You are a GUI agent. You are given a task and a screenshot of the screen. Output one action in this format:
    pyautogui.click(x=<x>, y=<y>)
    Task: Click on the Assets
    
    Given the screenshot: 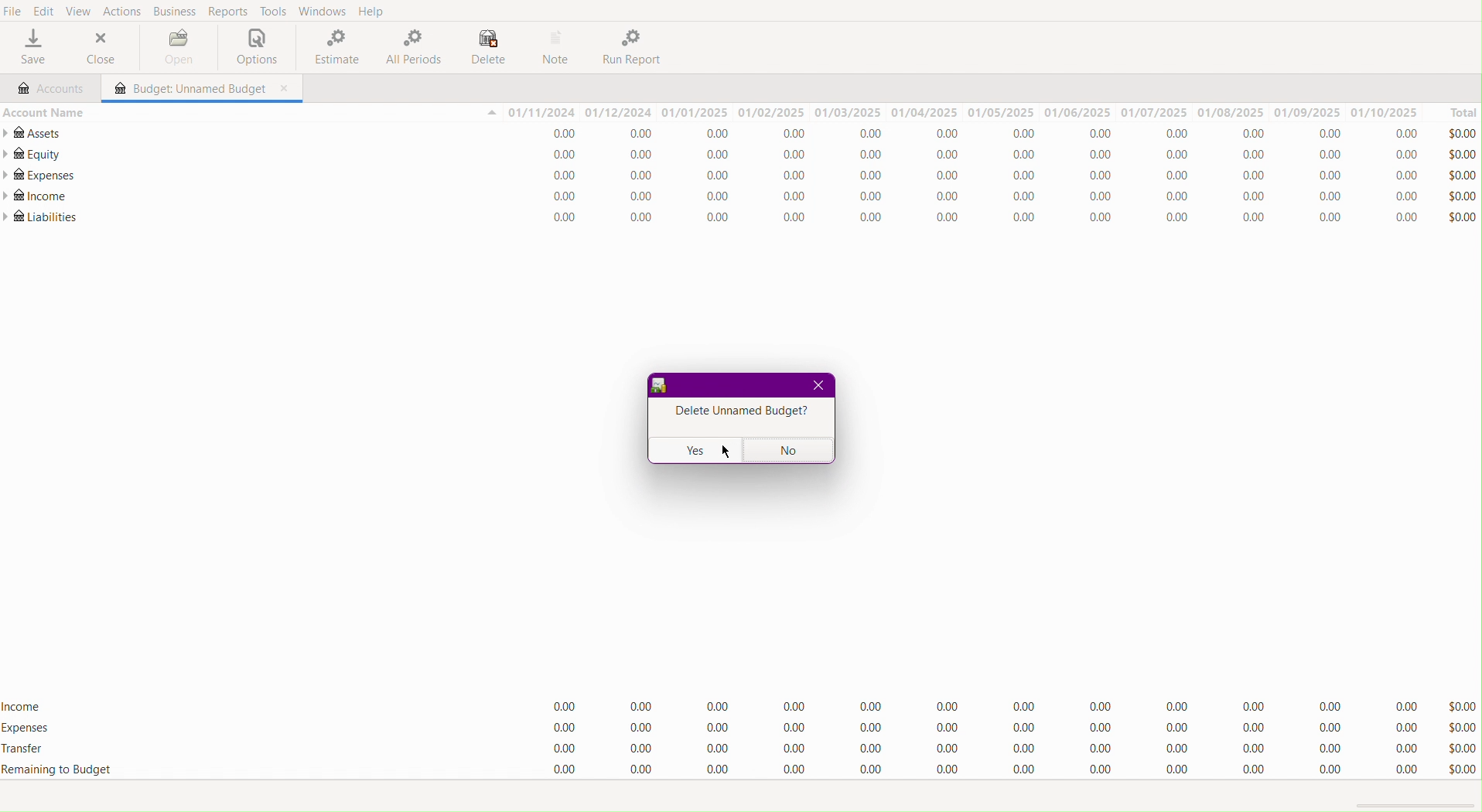 What is the action you would take?
    pyautogui.click(x=36, y=133)
    